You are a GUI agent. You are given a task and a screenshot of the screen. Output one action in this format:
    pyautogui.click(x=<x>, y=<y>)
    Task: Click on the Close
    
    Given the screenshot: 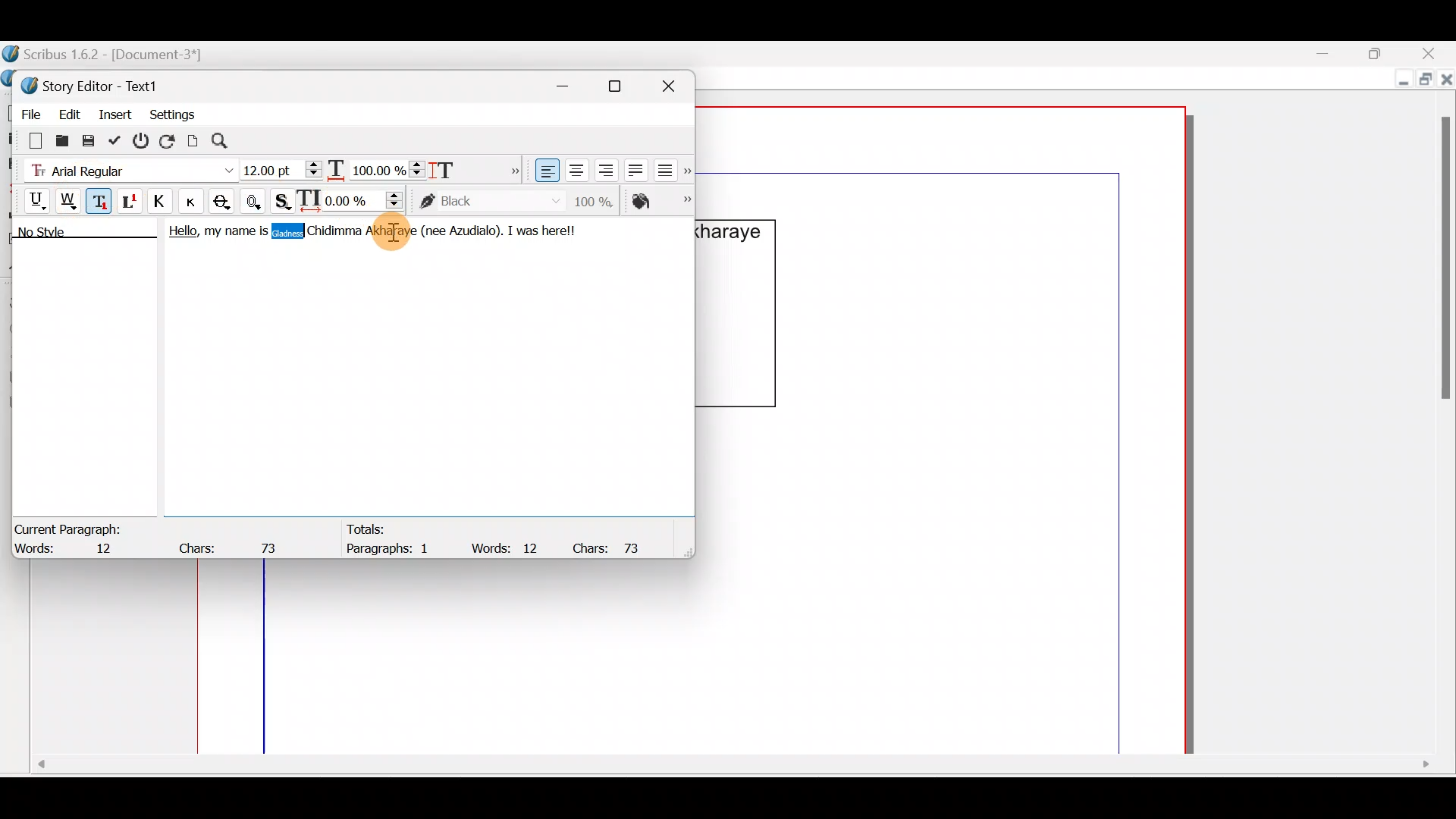 What is the action you would take?
    pyautogui.click(x=1433, y=53)
    